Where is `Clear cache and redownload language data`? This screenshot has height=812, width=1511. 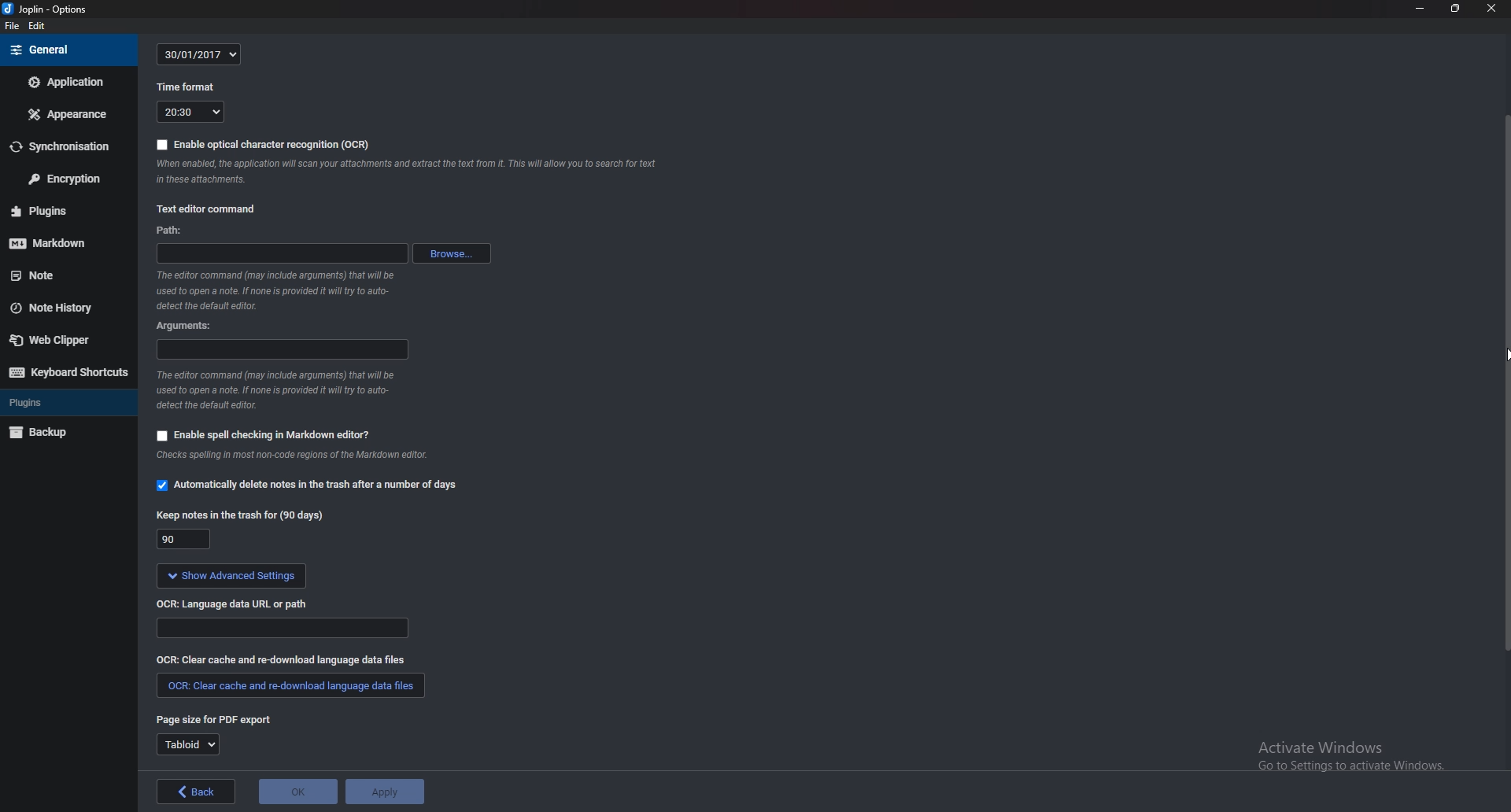 Clear cache and redownload language data is located at coordinates (278, 661).